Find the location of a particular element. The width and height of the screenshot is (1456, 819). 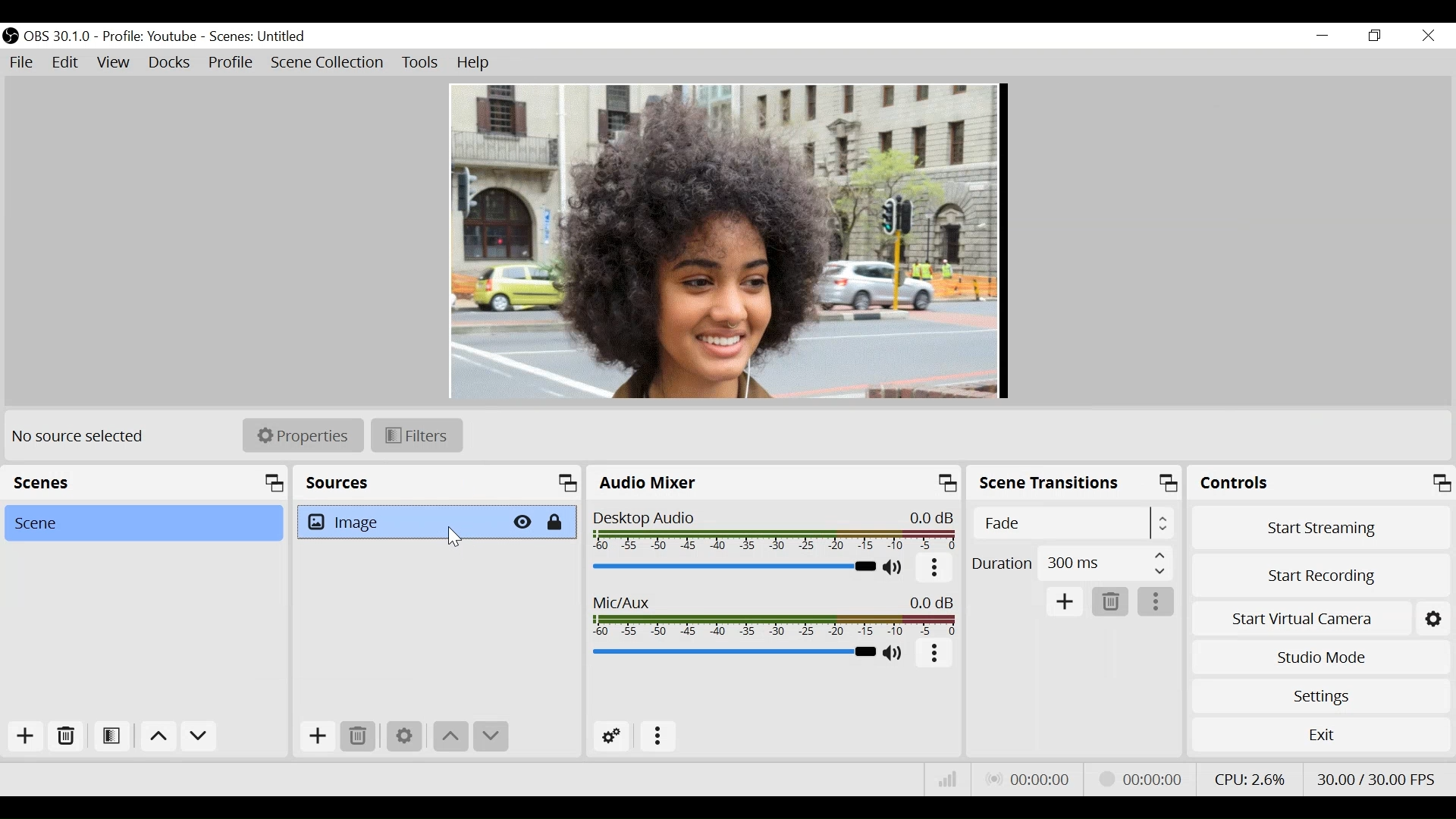

Add Source is located at coordinates (317, 738).